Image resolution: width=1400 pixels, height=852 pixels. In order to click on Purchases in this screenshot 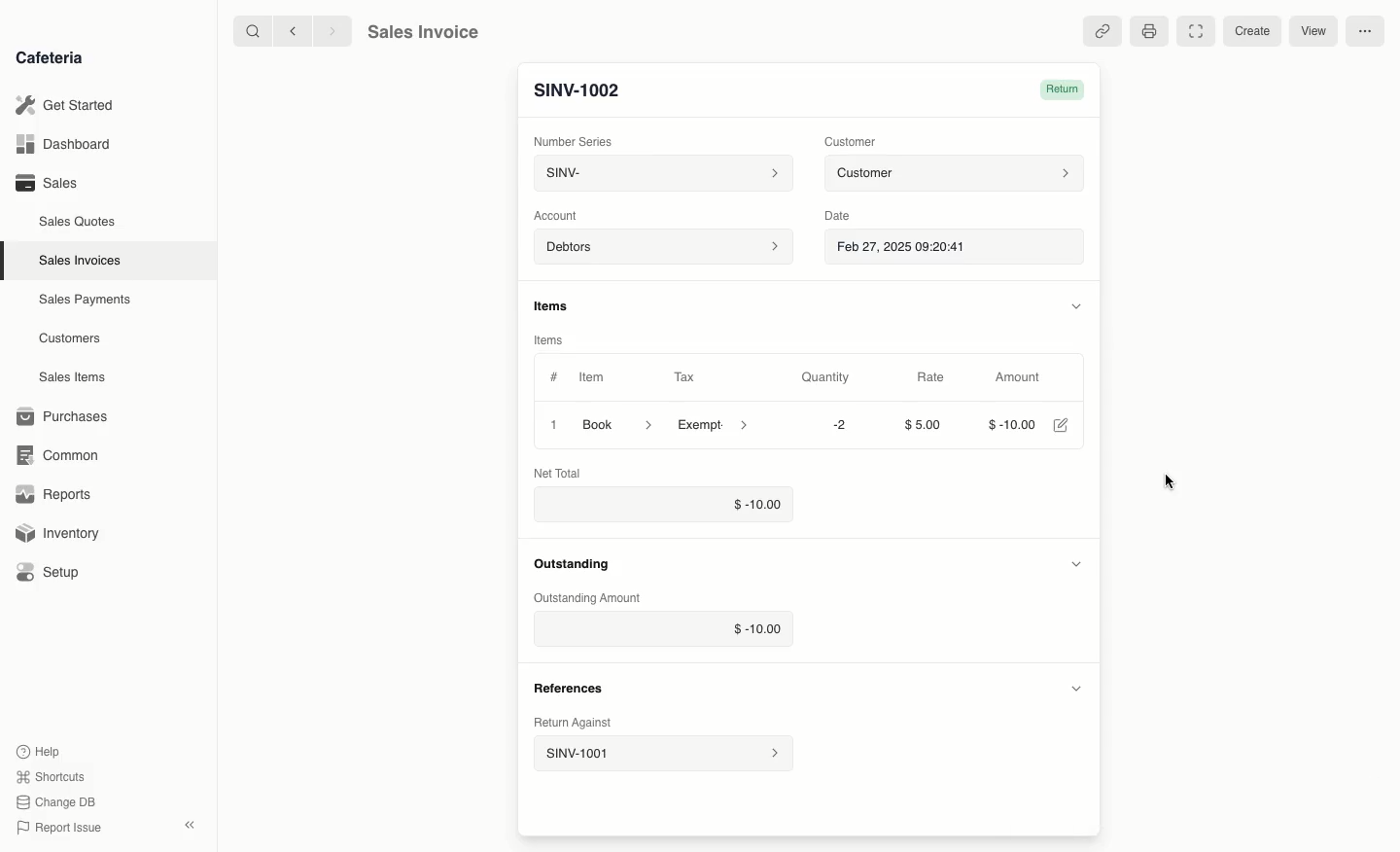, I will do `click(67, 416)`.